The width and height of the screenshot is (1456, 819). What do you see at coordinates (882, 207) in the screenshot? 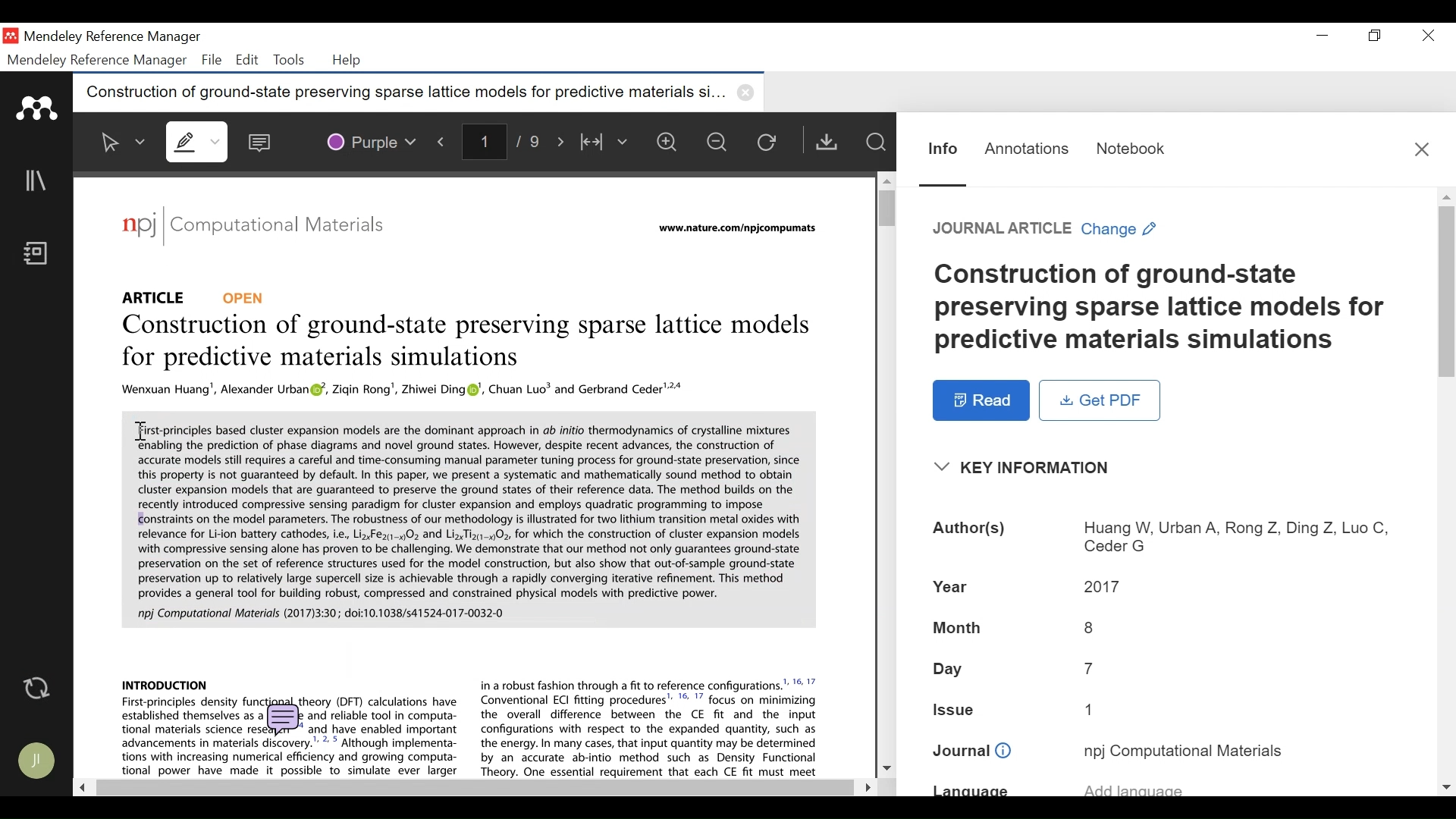
I see `Vertical Scroll bar` at bounding box center [882, 207].